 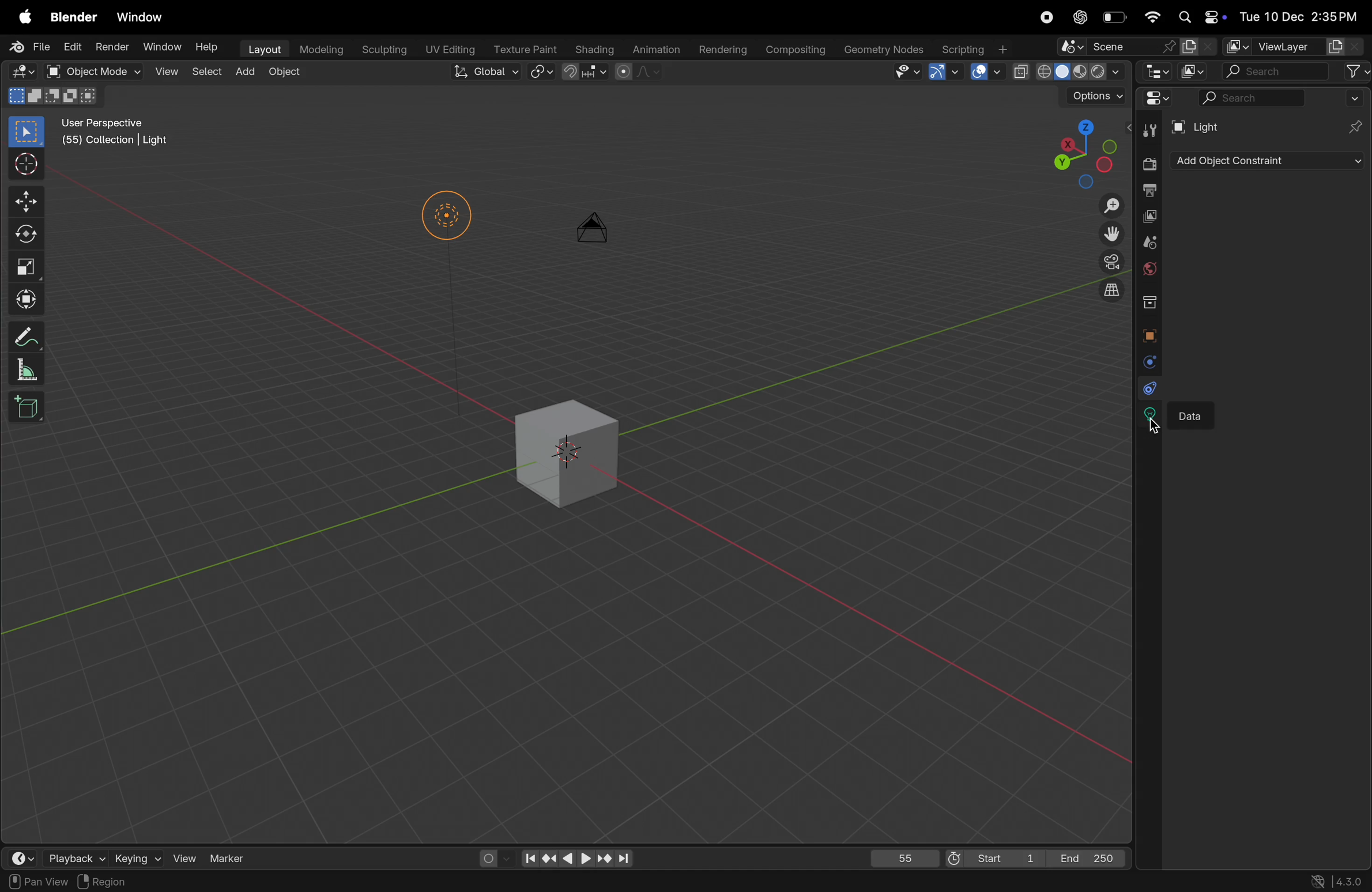 What do you see at coordinates (485, 74) in the screenshot?
I see `Global` at bounding box center [485, 74].